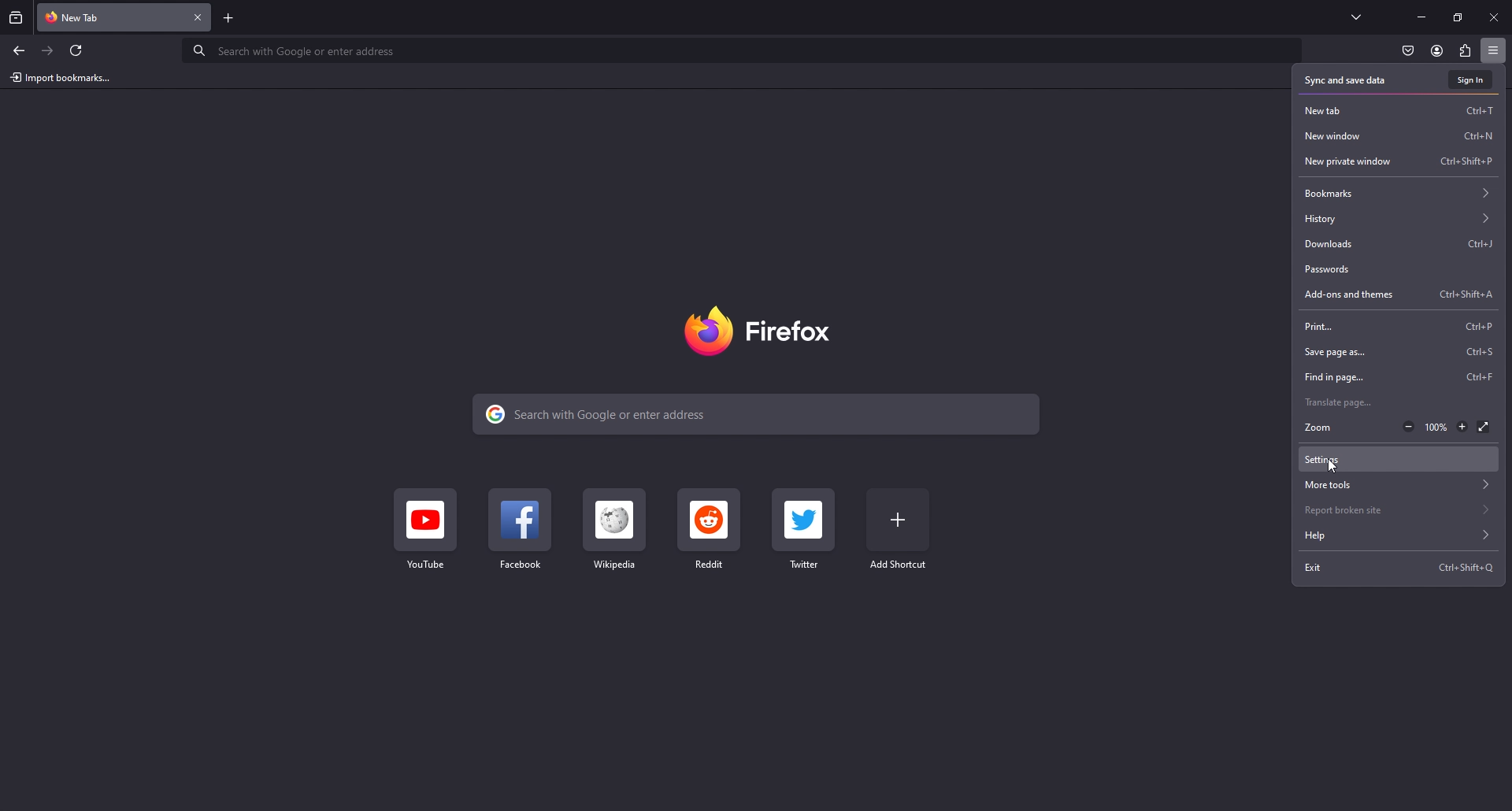  Describe the element at coordinates (1351, 81) in the screenshot. I see `sync and save data` at that location.